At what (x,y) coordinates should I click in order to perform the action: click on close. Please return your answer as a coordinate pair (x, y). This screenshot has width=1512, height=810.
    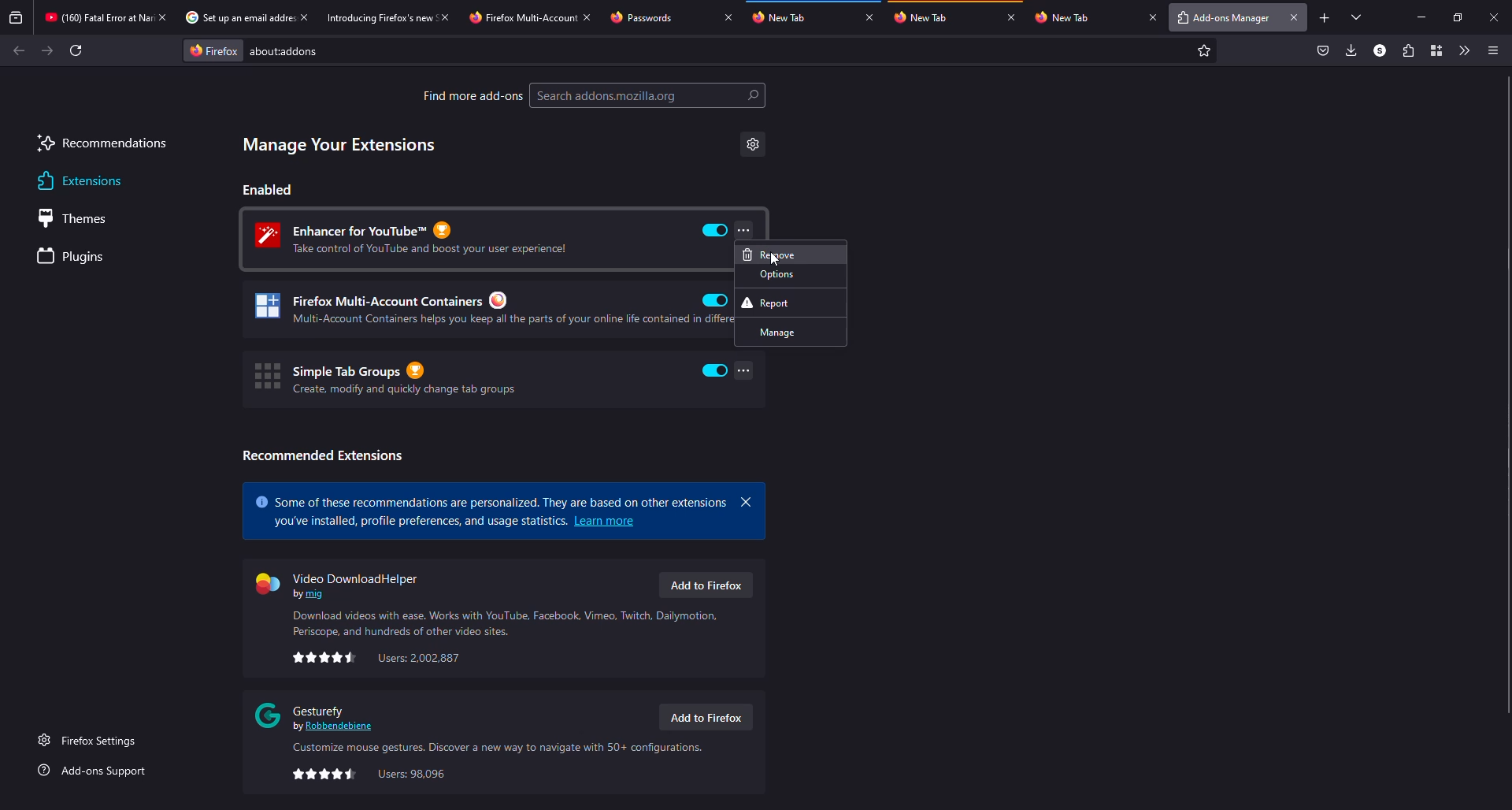
    Looking at the image, I should click on (728, 17).